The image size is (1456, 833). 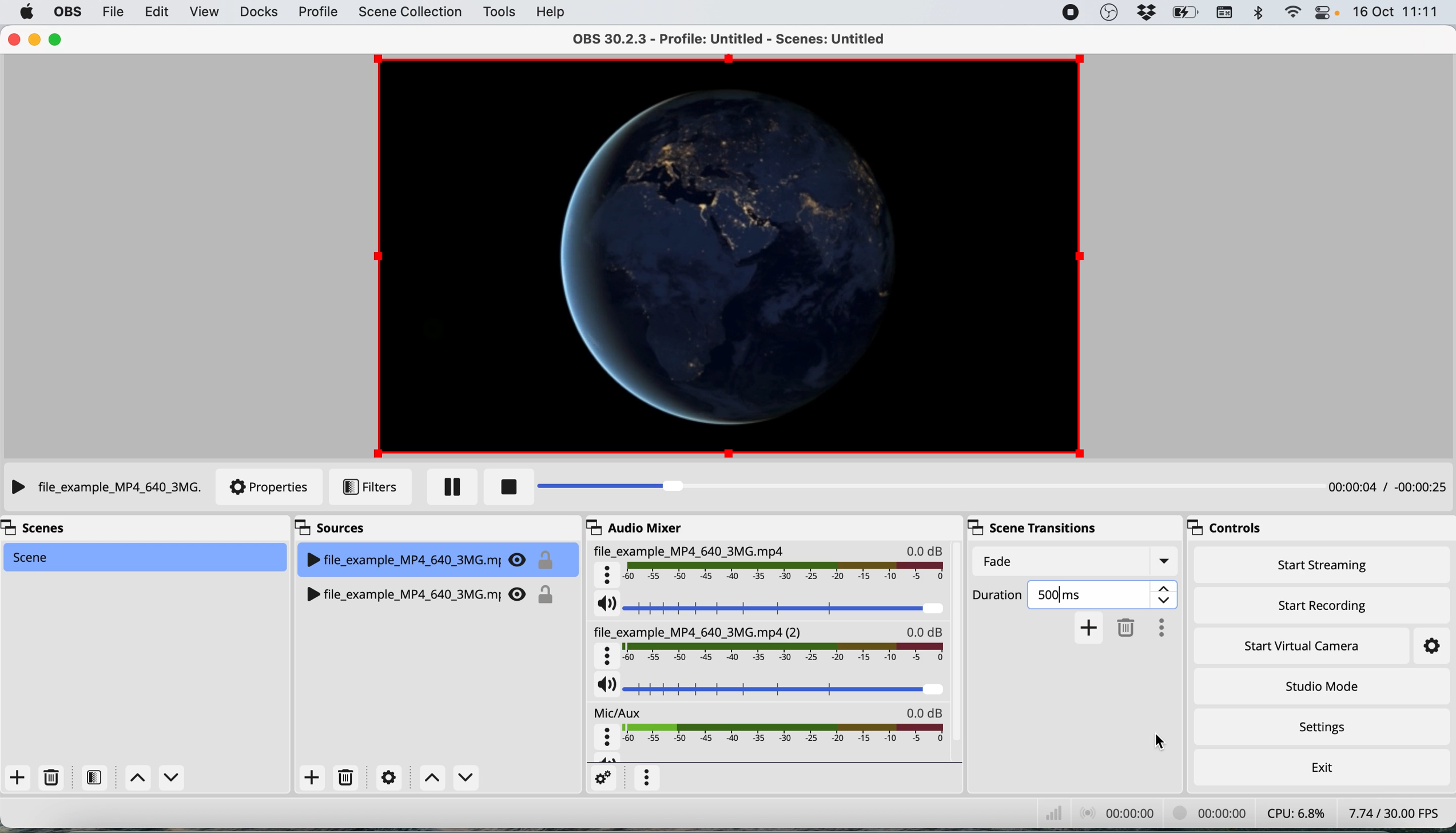 What do you see at coordinates (773, 565) in the screenshot?
I see `current source audio` at bounding box center [773, 565].